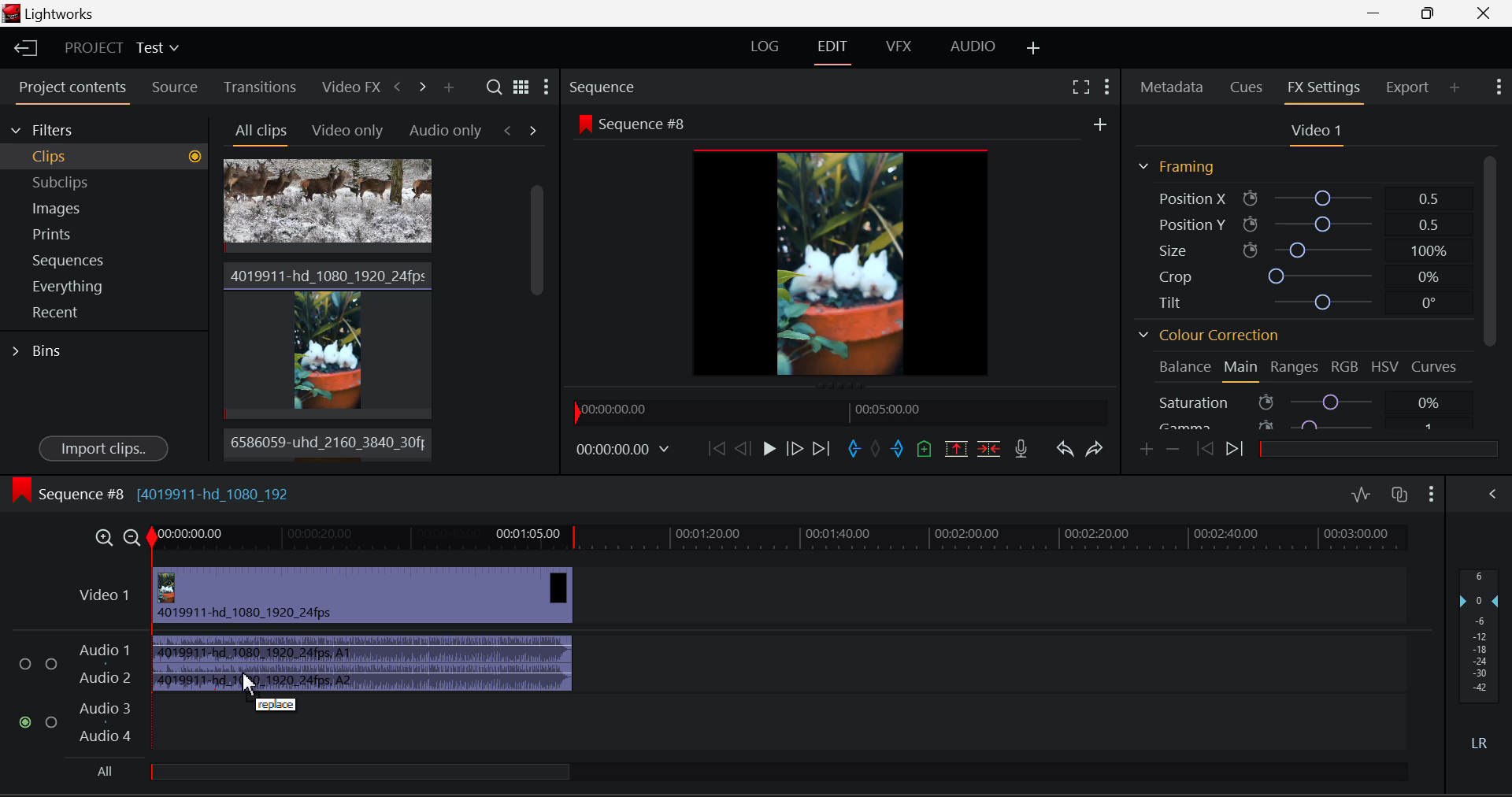 The width and height of the screenshot is (1512, 797). What do you see at coordinates (1432, 492) in the screenshot?
I see `Show Settings` at bounding box center [1432, 492].